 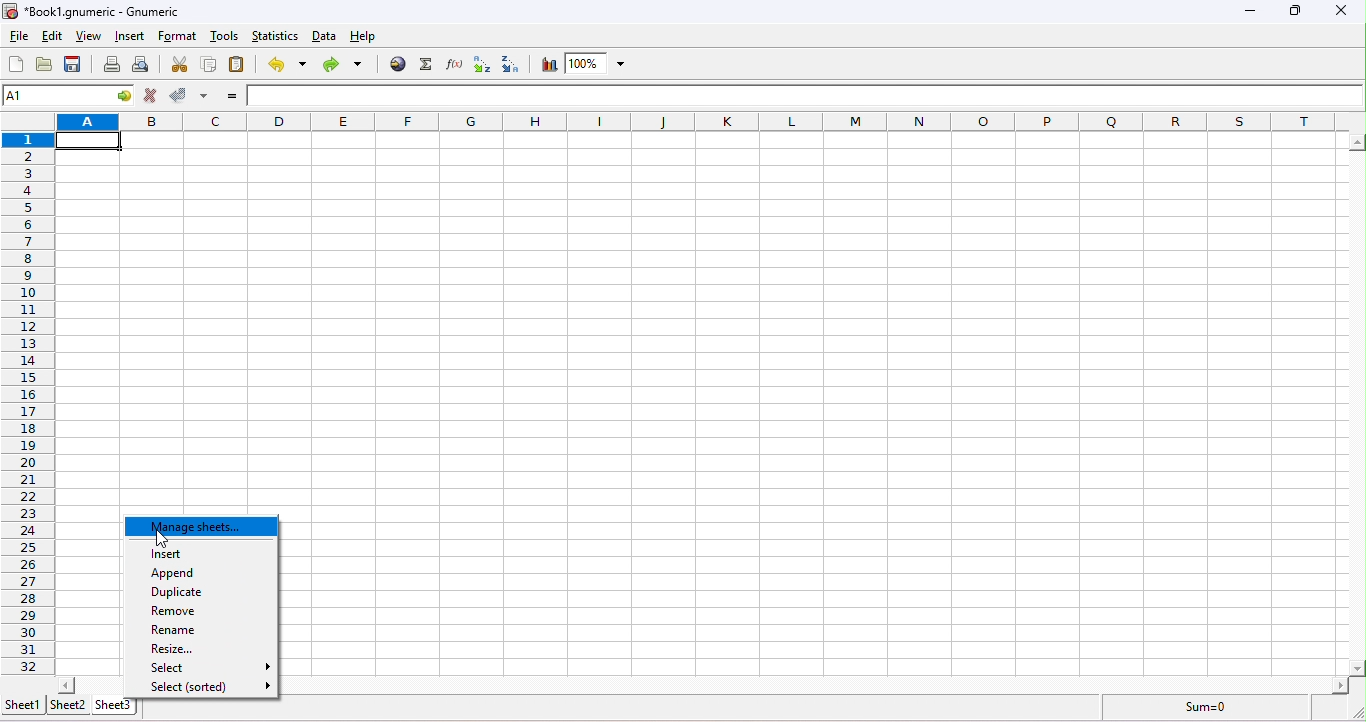 I want to click on cursor, so click(x=173, y=530).